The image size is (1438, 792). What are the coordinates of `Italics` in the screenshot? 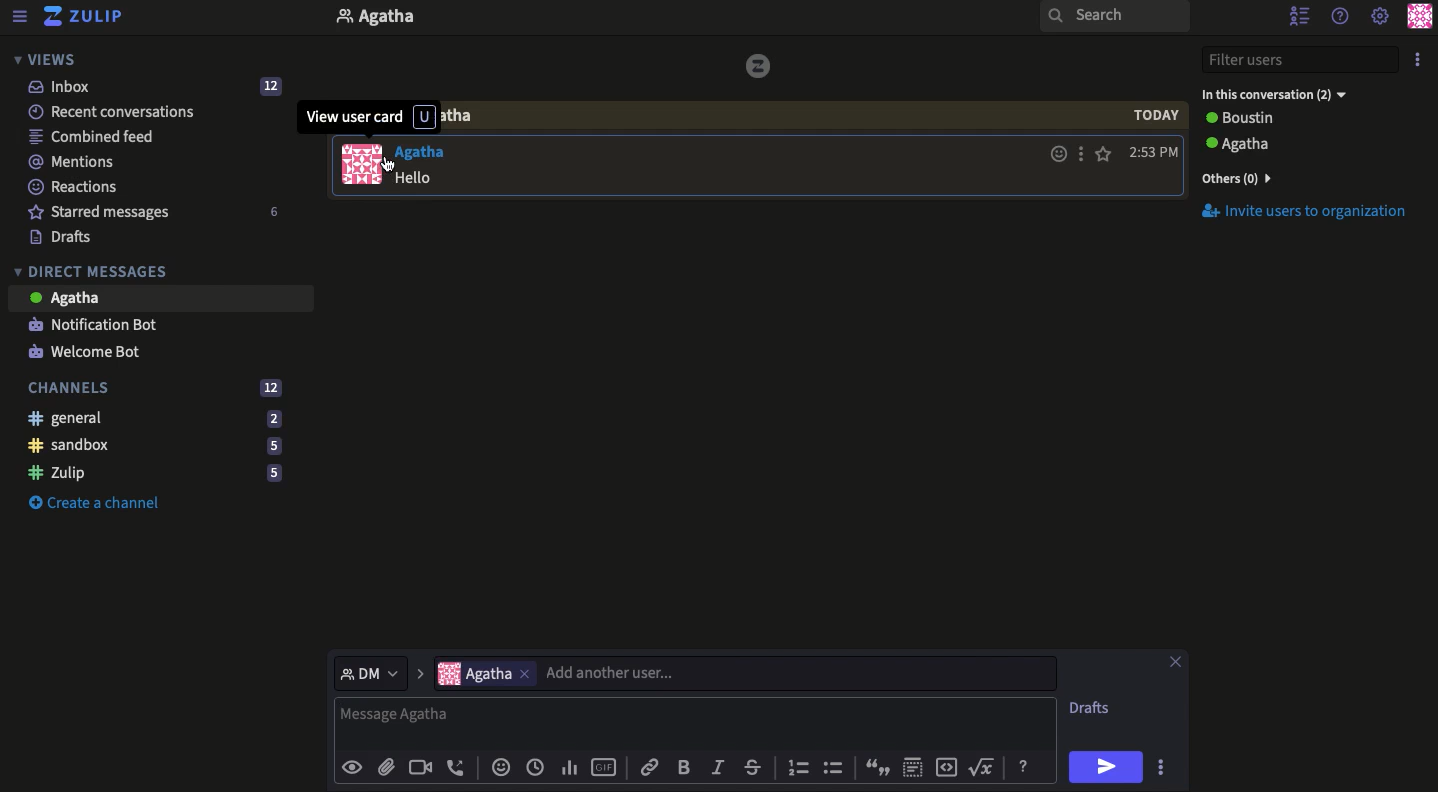 It's located at (716, 766).